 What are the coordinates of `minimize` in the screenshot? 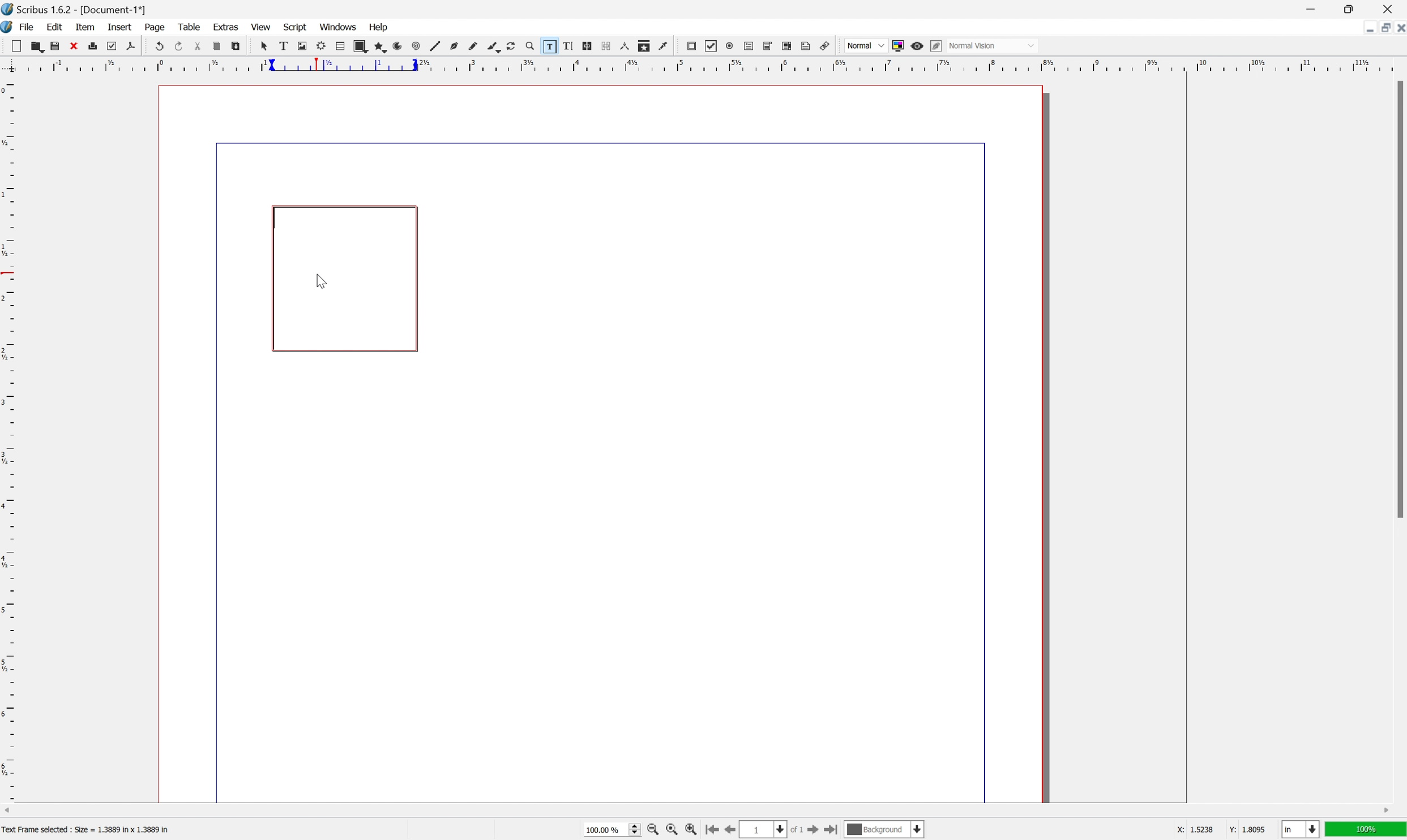 It's located at (1364, 28).